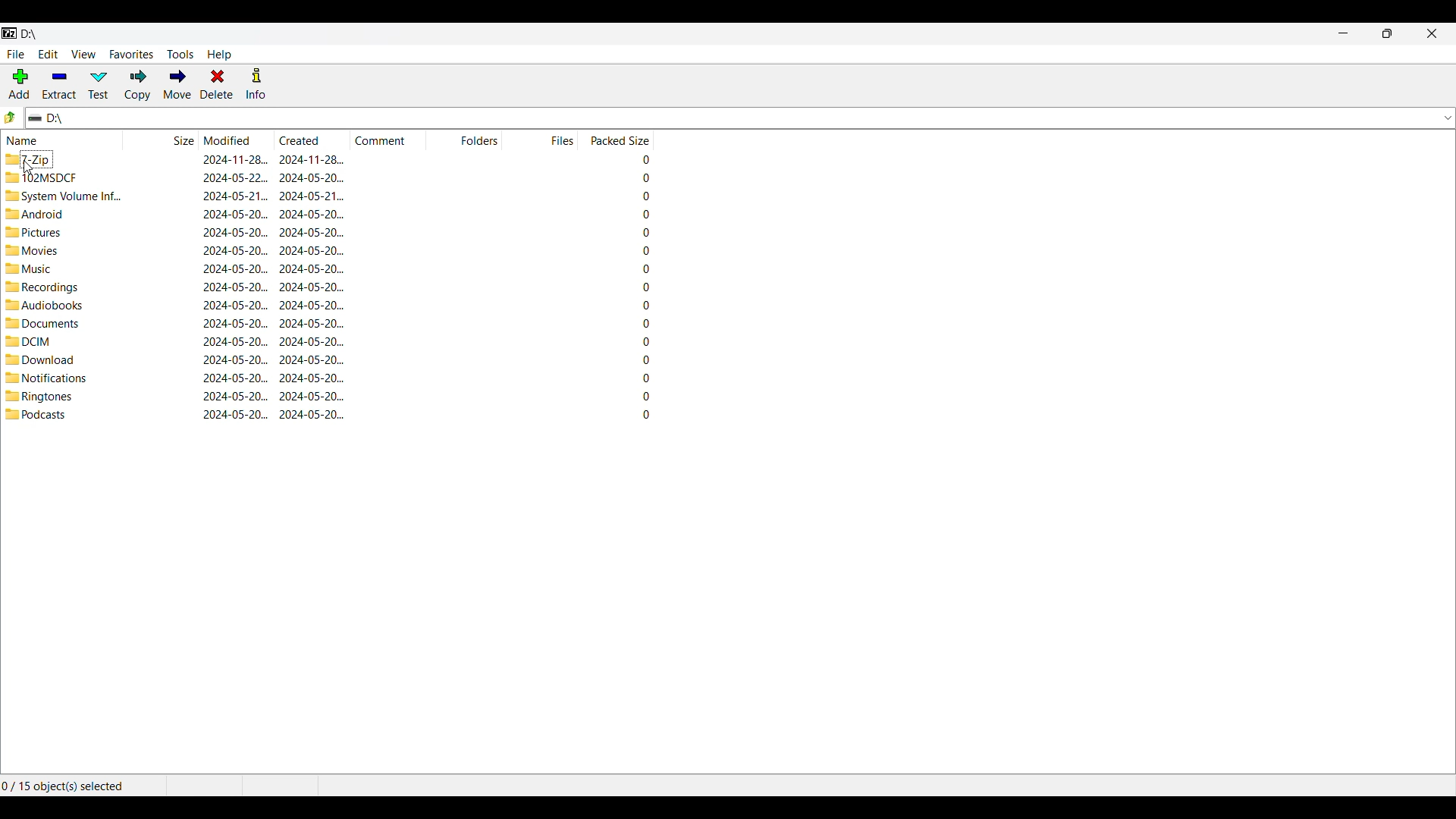 Image resolution: width=1456 pixels, height=819 pixels. I want to click on zip folder, so click(30, 159).